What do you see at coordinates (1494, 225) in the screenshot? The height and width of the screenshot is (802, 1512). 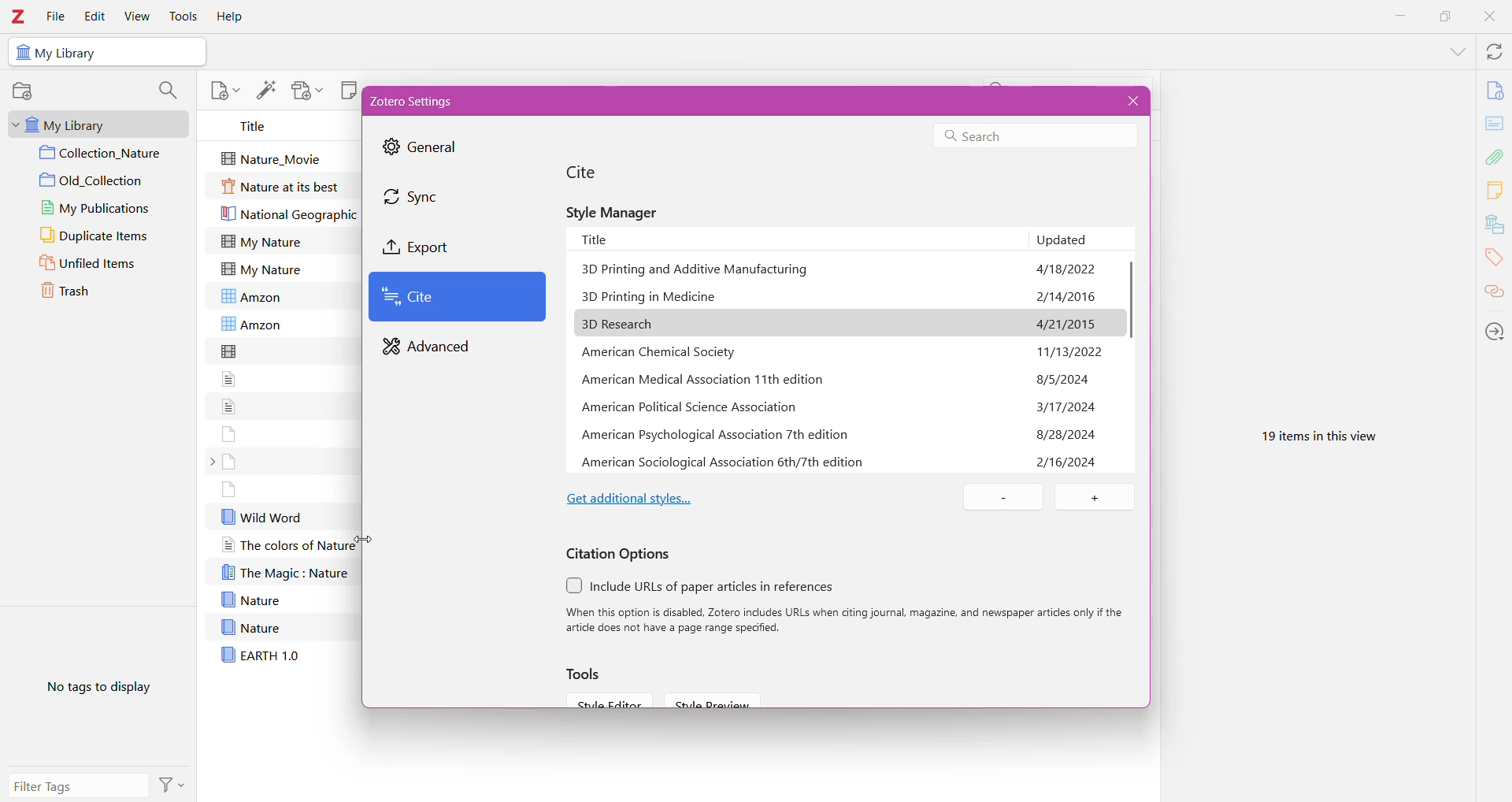 I see `Libraries and Collections` at bounding box center [1494, 225].